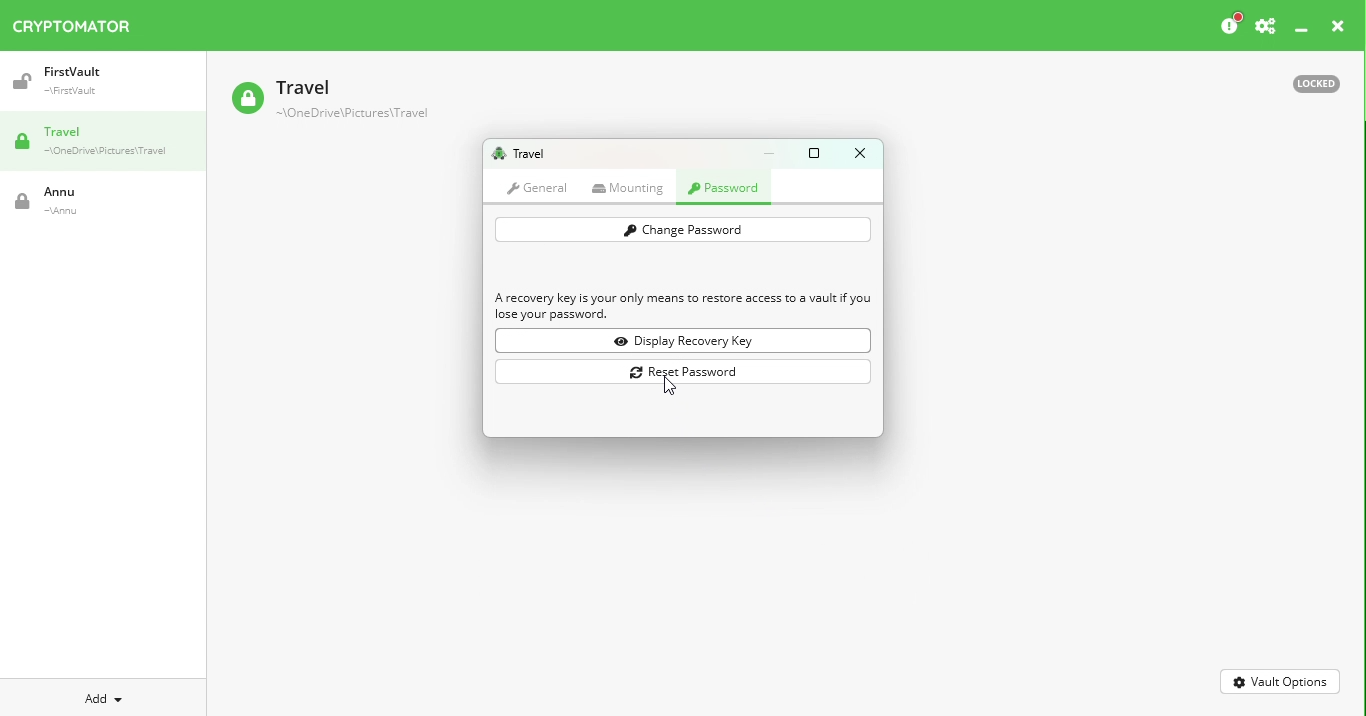  What do you see at coordinates (687, 341) in the screenshot?
I see `Display recovery key` at bounding box center [687, 341].